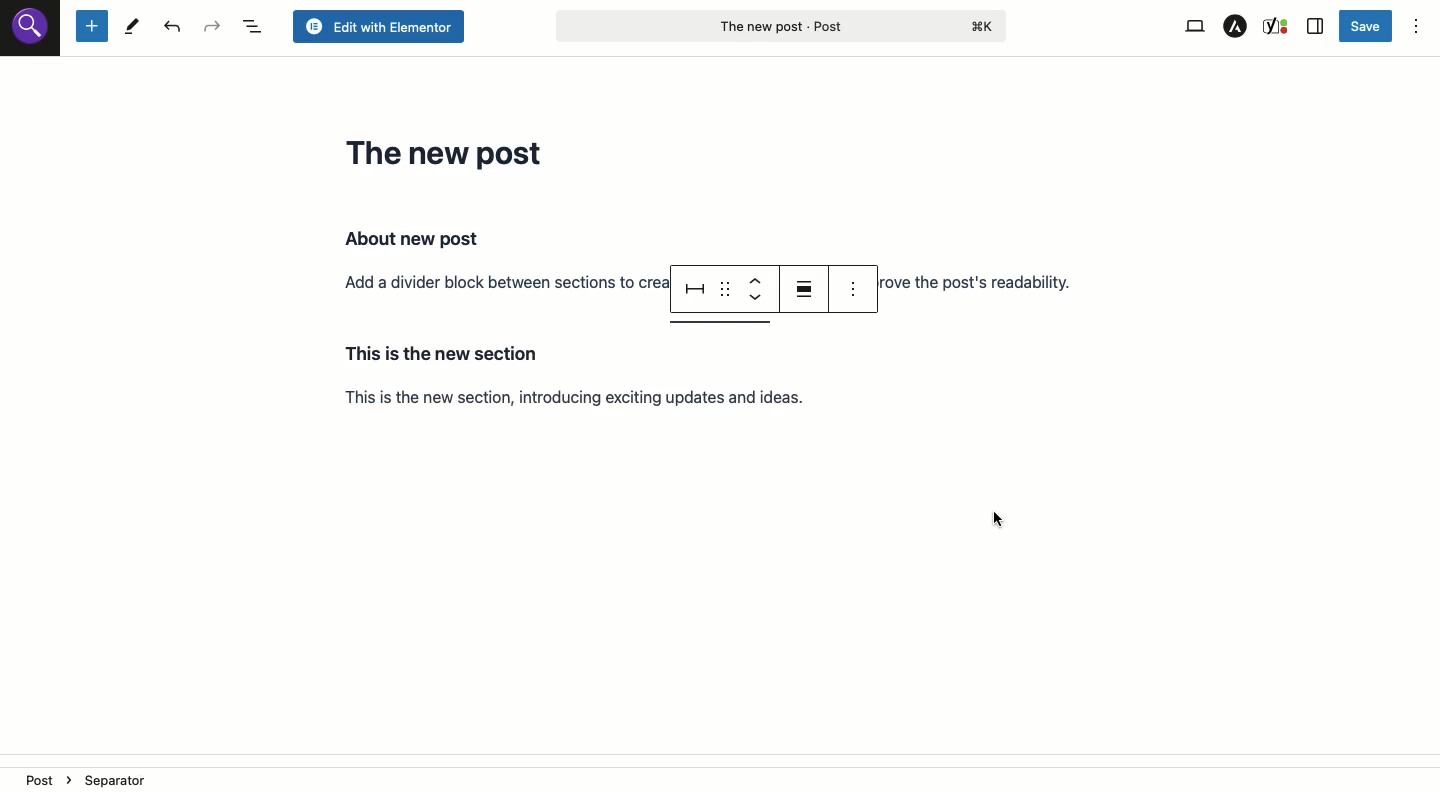  I want to click on cursor, so click(1001, 520).